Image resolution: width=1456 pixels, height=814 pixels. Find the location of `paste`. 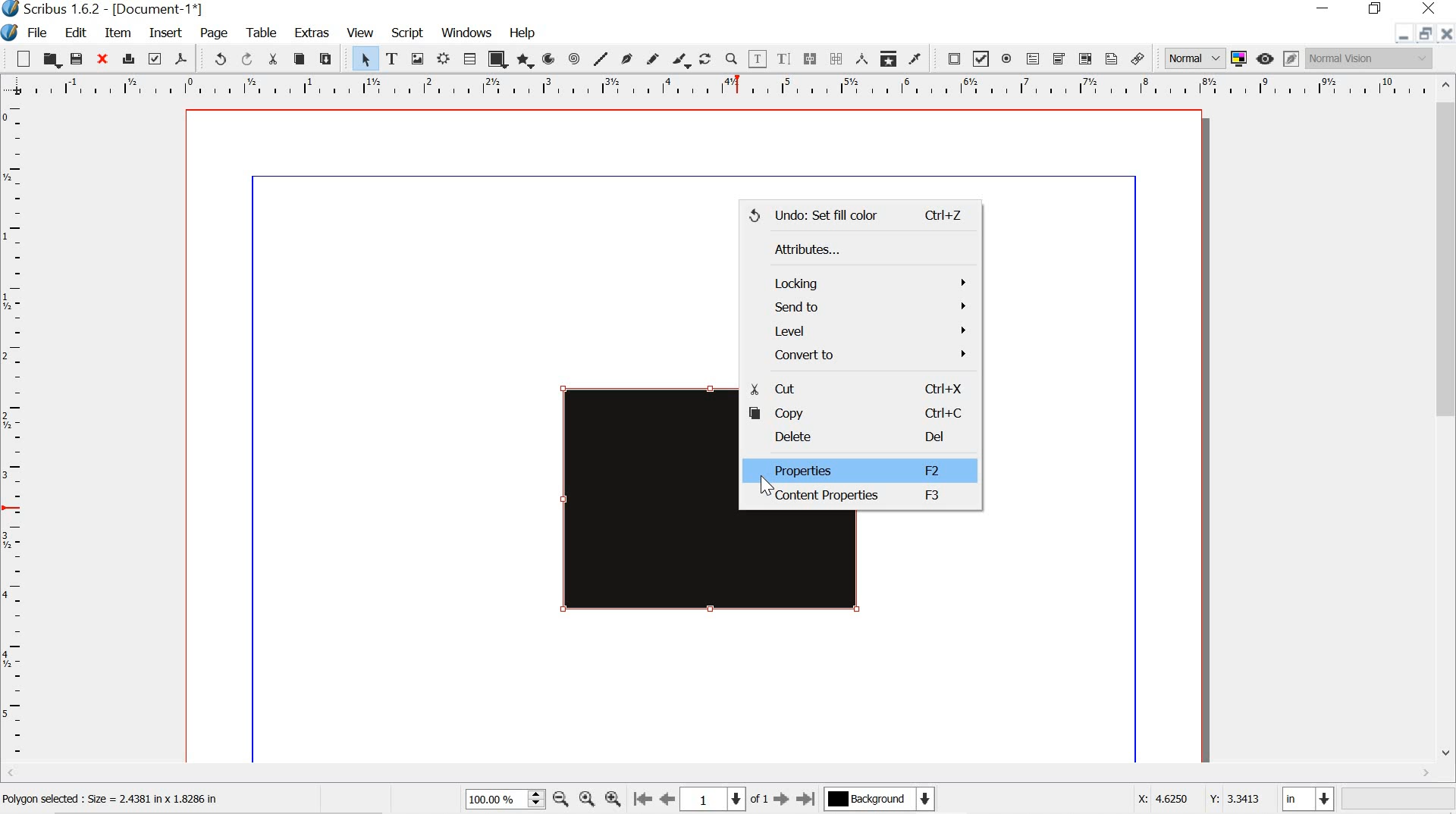

paste is located at coordinates (331, 59).